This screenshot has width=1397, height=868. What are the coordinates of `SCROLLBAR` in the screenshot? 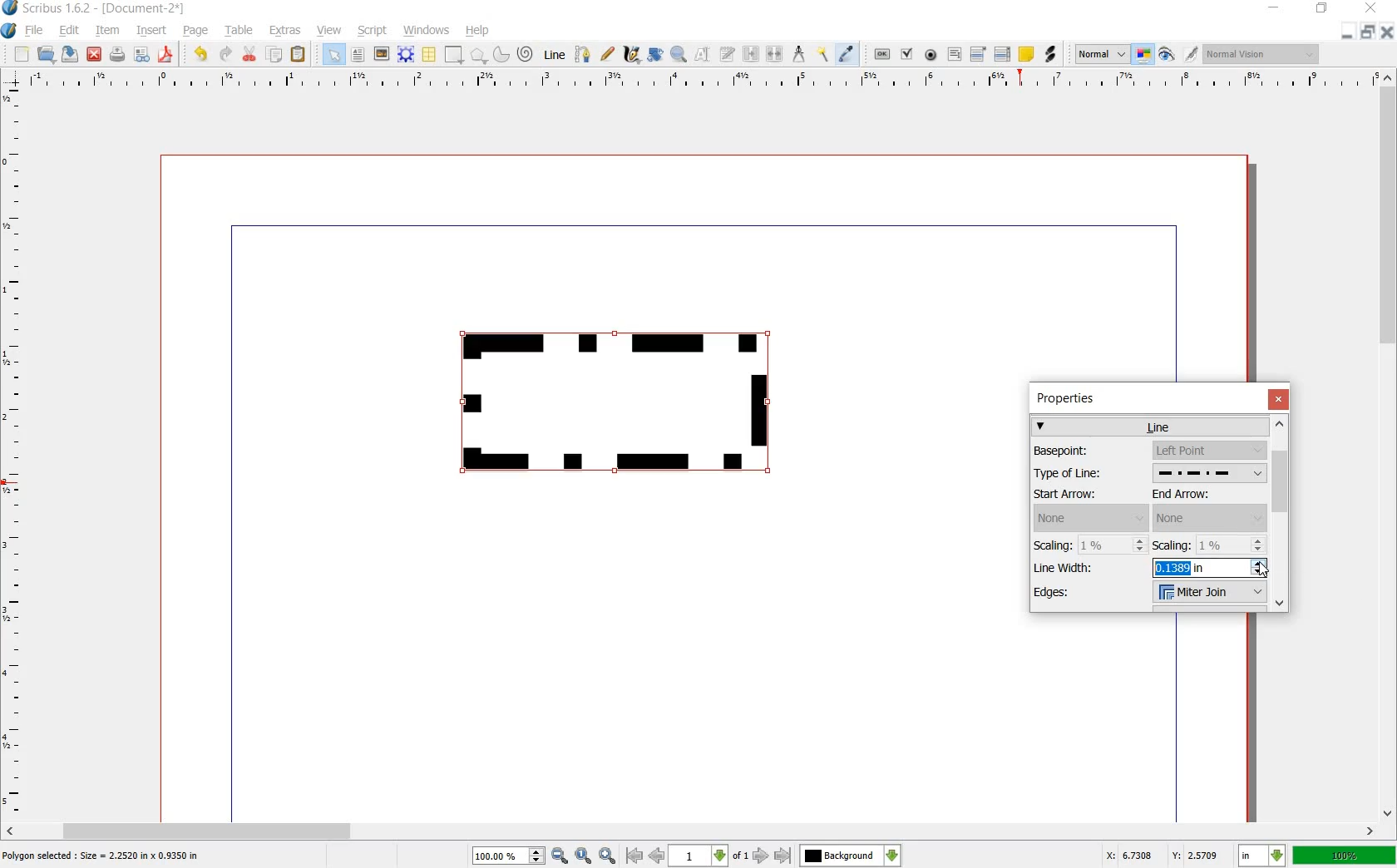 It's located at (690, 831).